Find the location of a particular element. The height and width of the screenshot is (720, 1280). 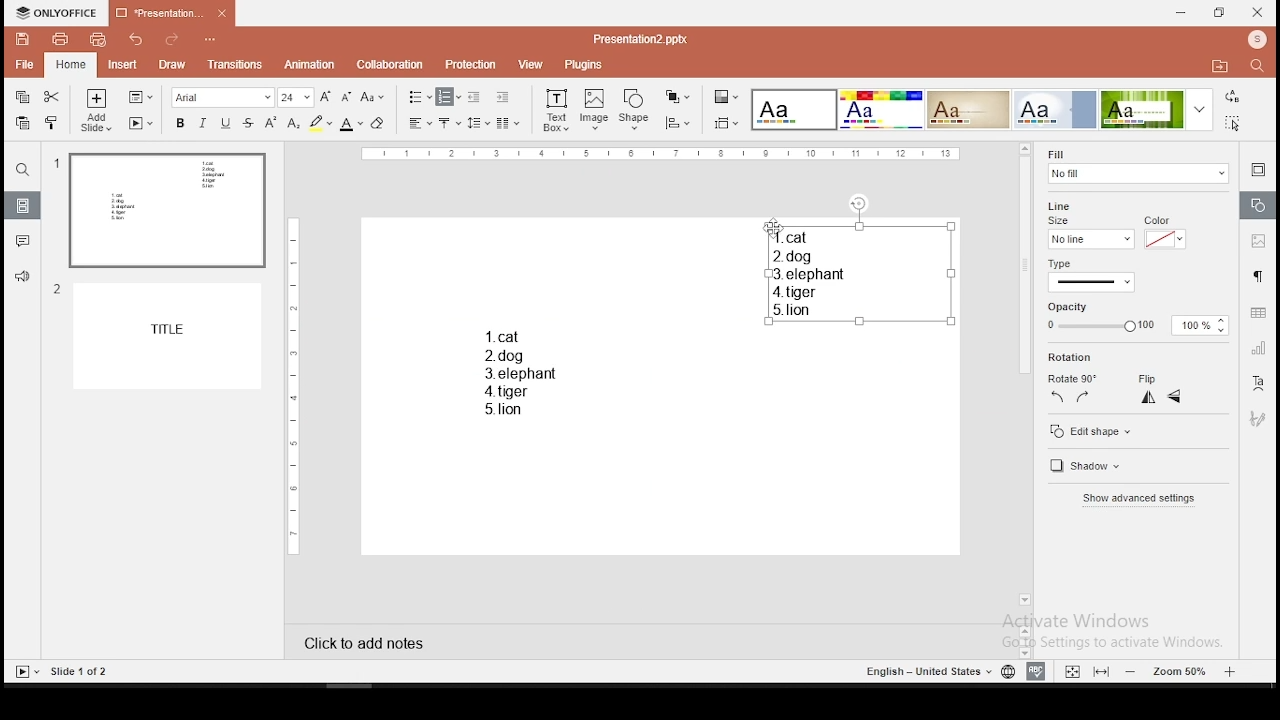

find is located at coordinates (21, 170).